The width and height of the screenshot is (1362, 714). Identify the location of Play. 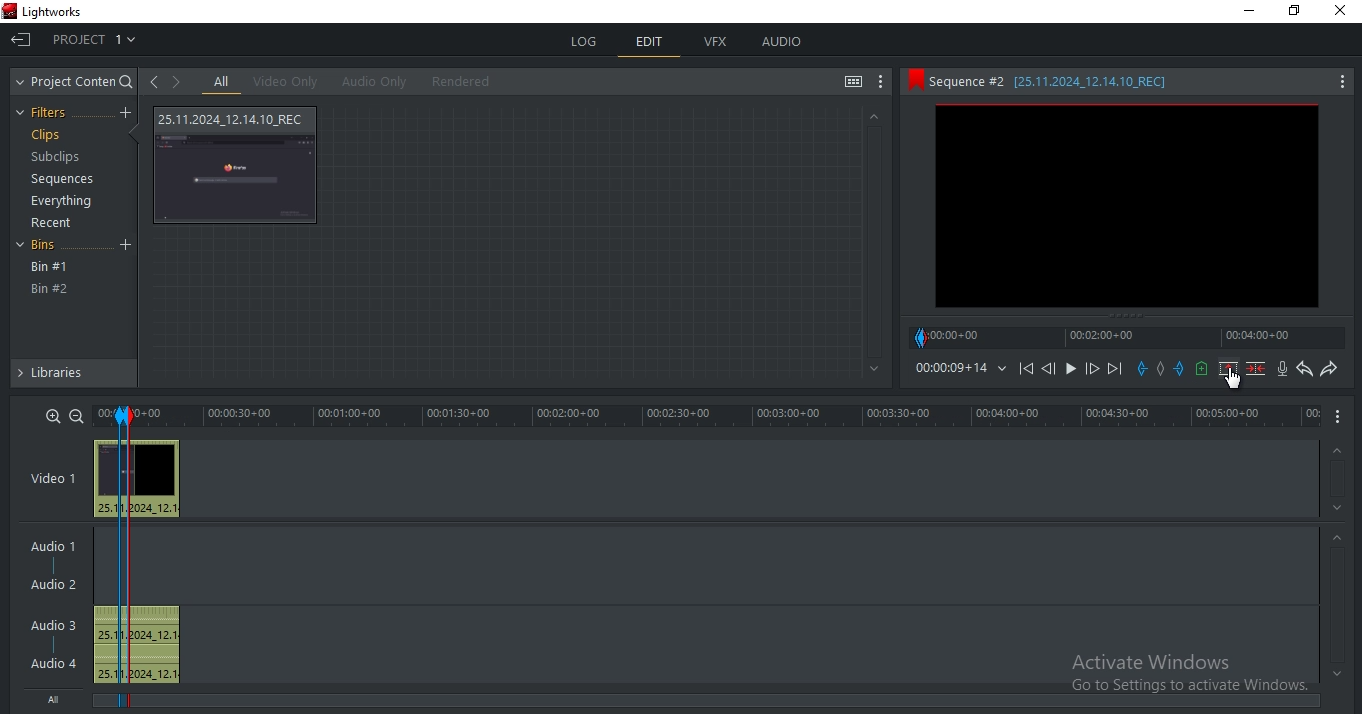
(1071, 368).